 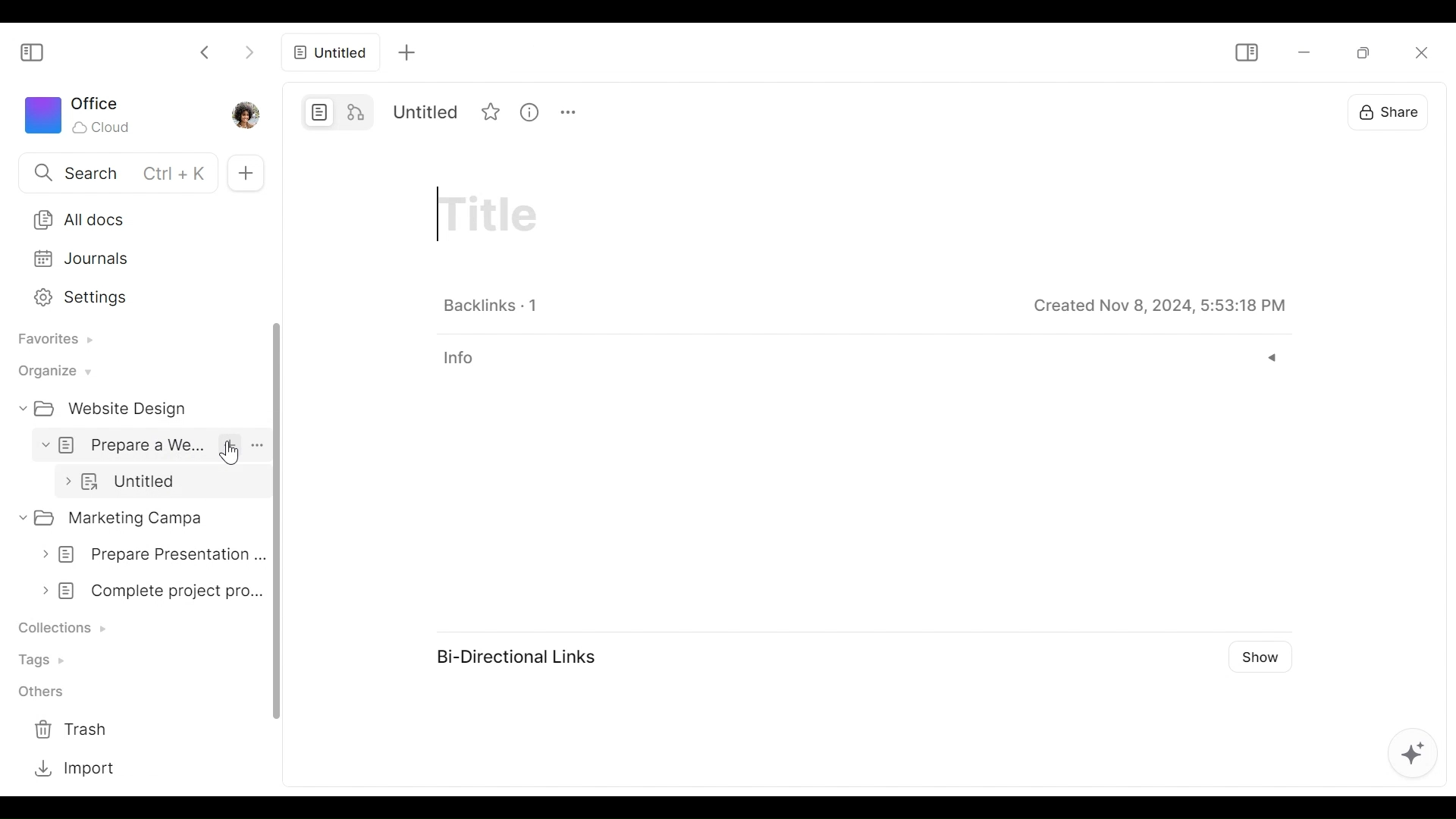 I want to click on Folder, so click(x=111, y=409).